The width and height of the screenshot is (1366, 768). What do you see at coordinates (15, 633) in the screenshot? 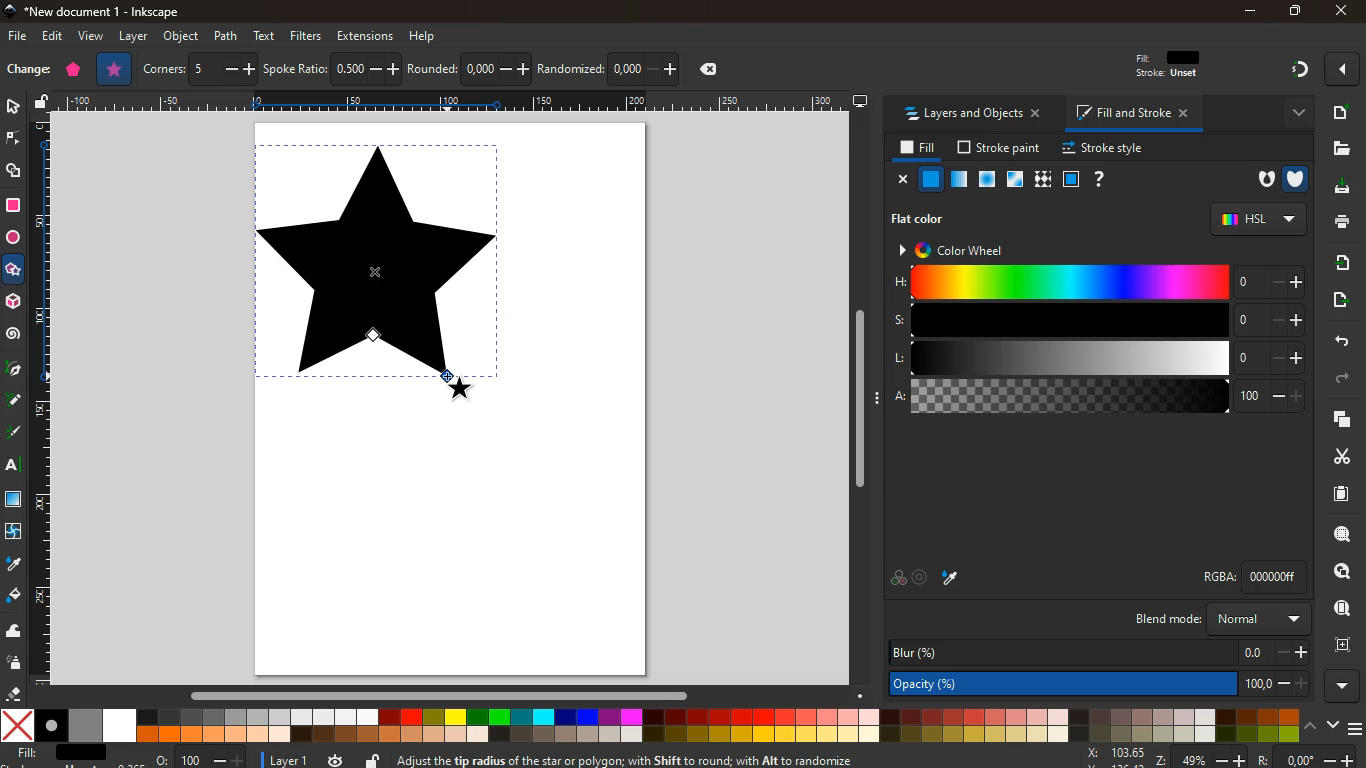
I see `wave` at bounding box center [15, 633].